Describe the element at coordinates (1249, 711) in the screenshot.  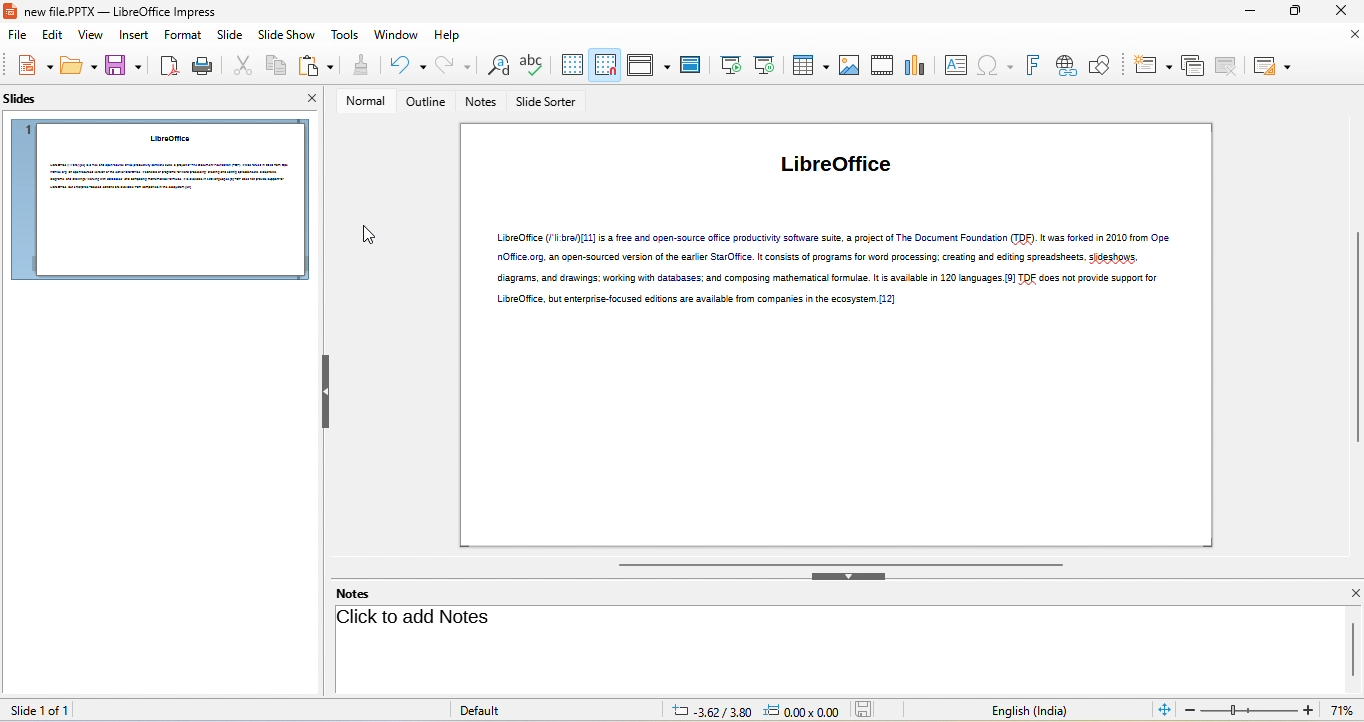
I see `edit zoom` at that location.